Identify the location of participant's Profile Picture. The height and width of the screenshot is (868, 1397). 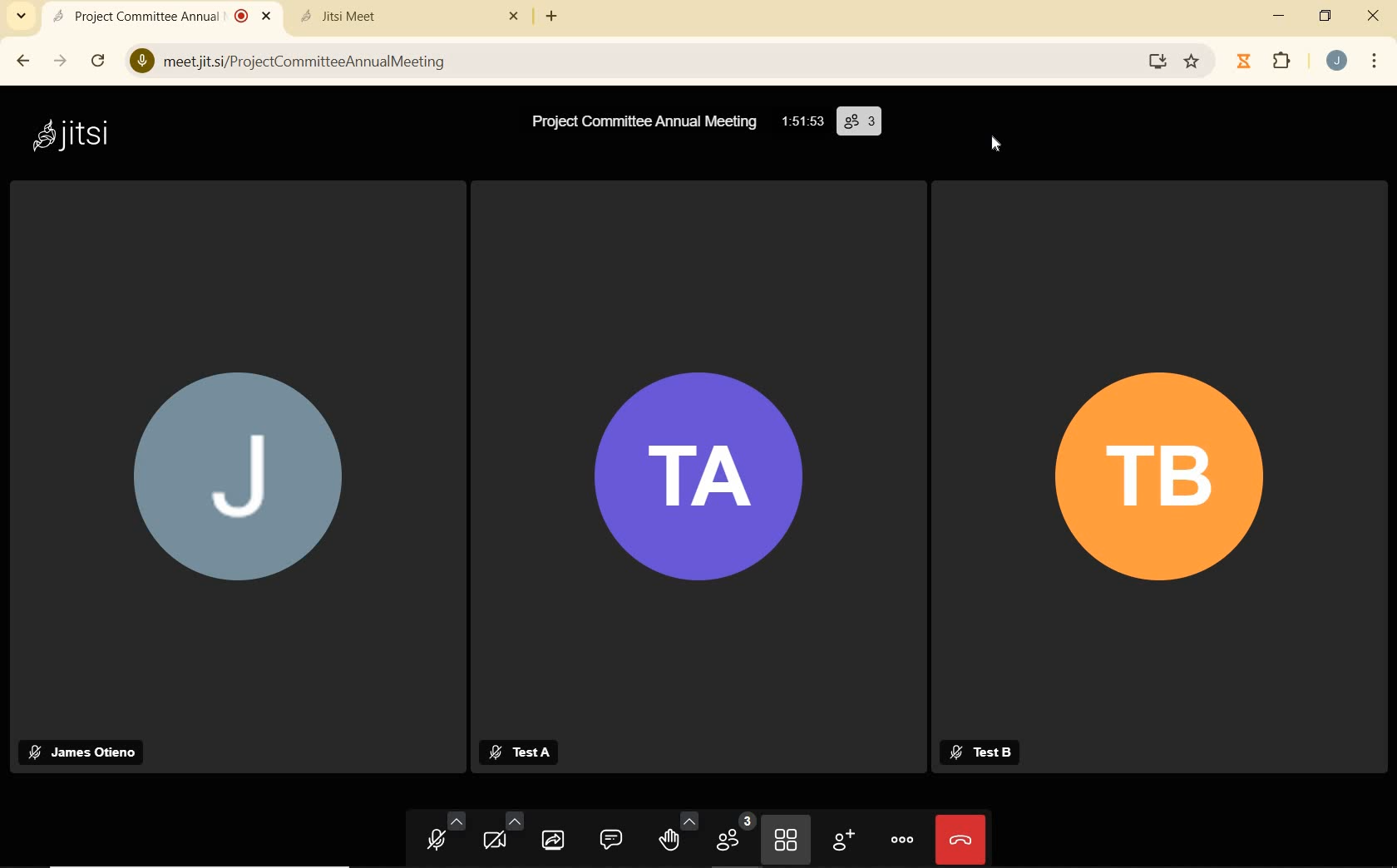
(690, 482).